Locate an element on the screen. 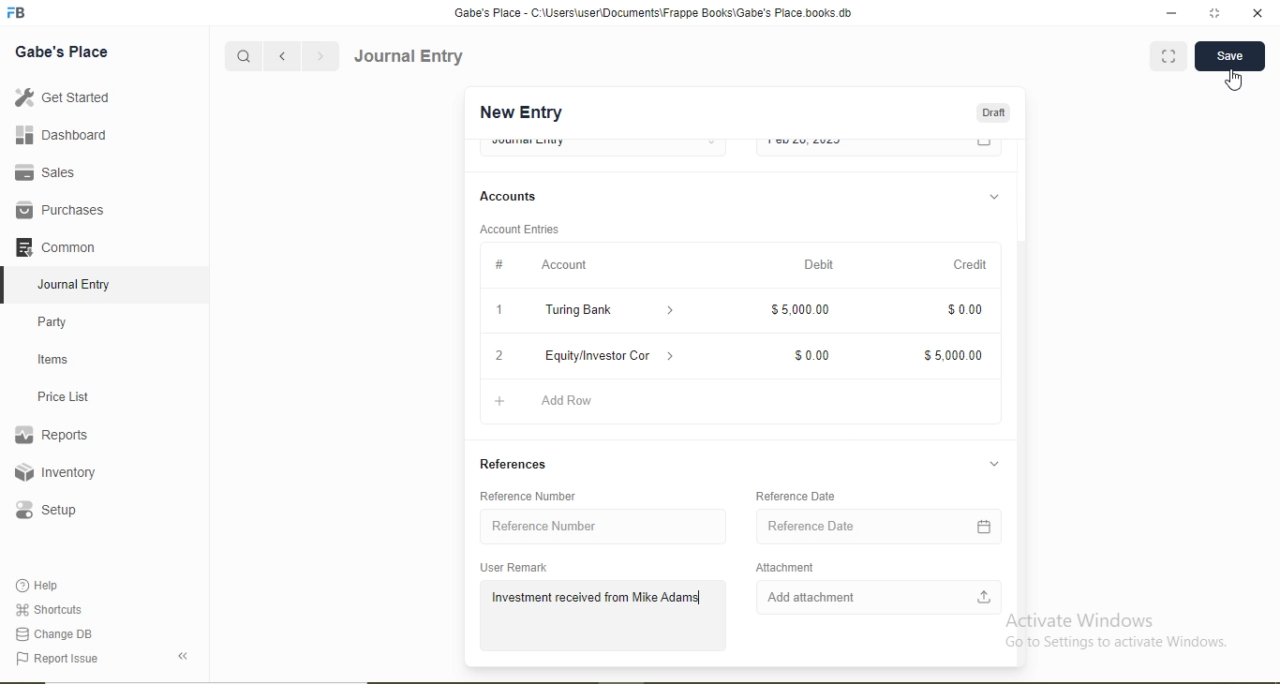 The height and width of the screenshot is (684, 1280). Journal Entry is located at coordinates (410, 56).